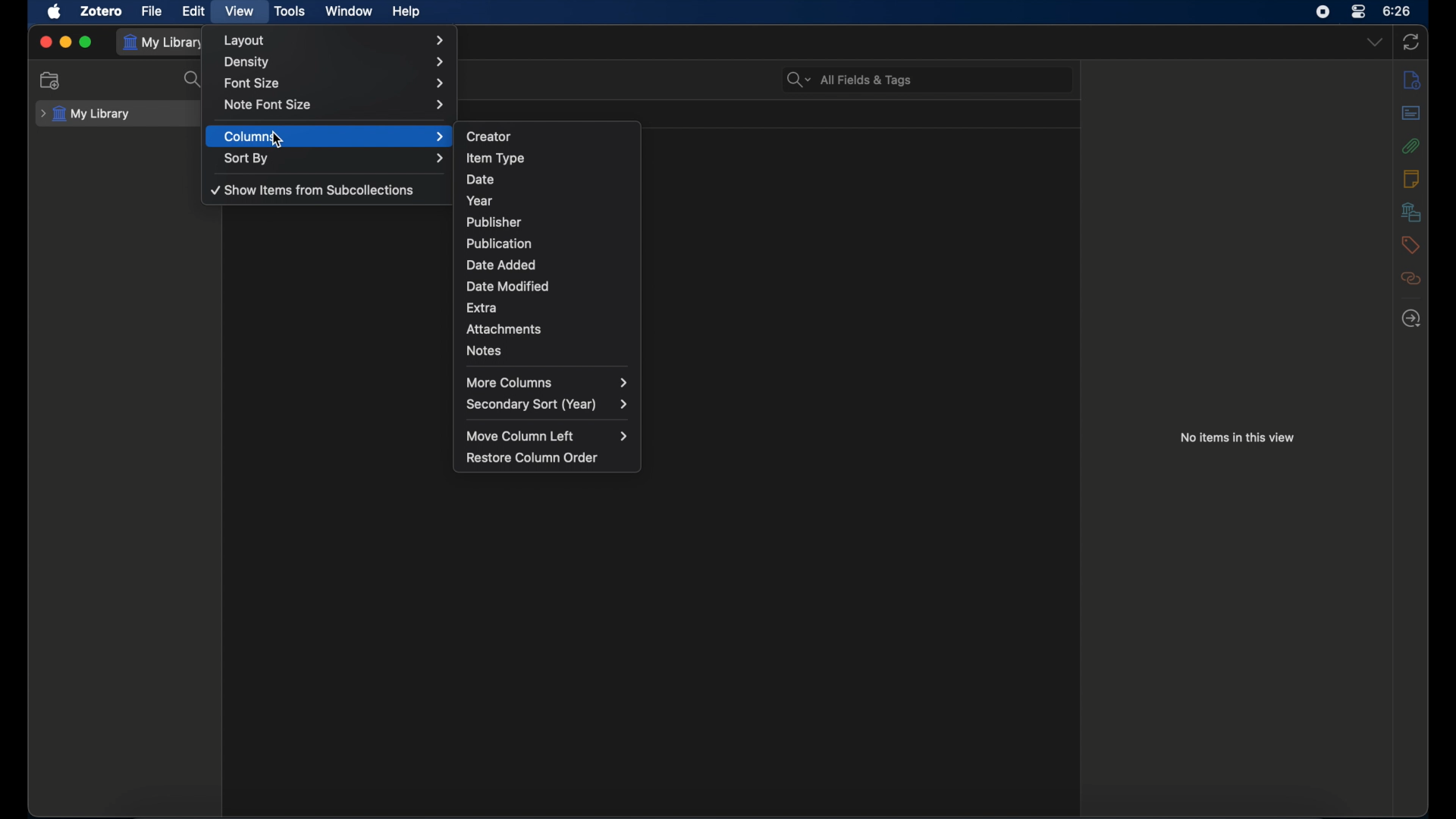 Image resolution: width=1456 pixels, height=819 pixels. Describe the element at coordinates (194, 11) in the screenshot. I see `edit` at that location.